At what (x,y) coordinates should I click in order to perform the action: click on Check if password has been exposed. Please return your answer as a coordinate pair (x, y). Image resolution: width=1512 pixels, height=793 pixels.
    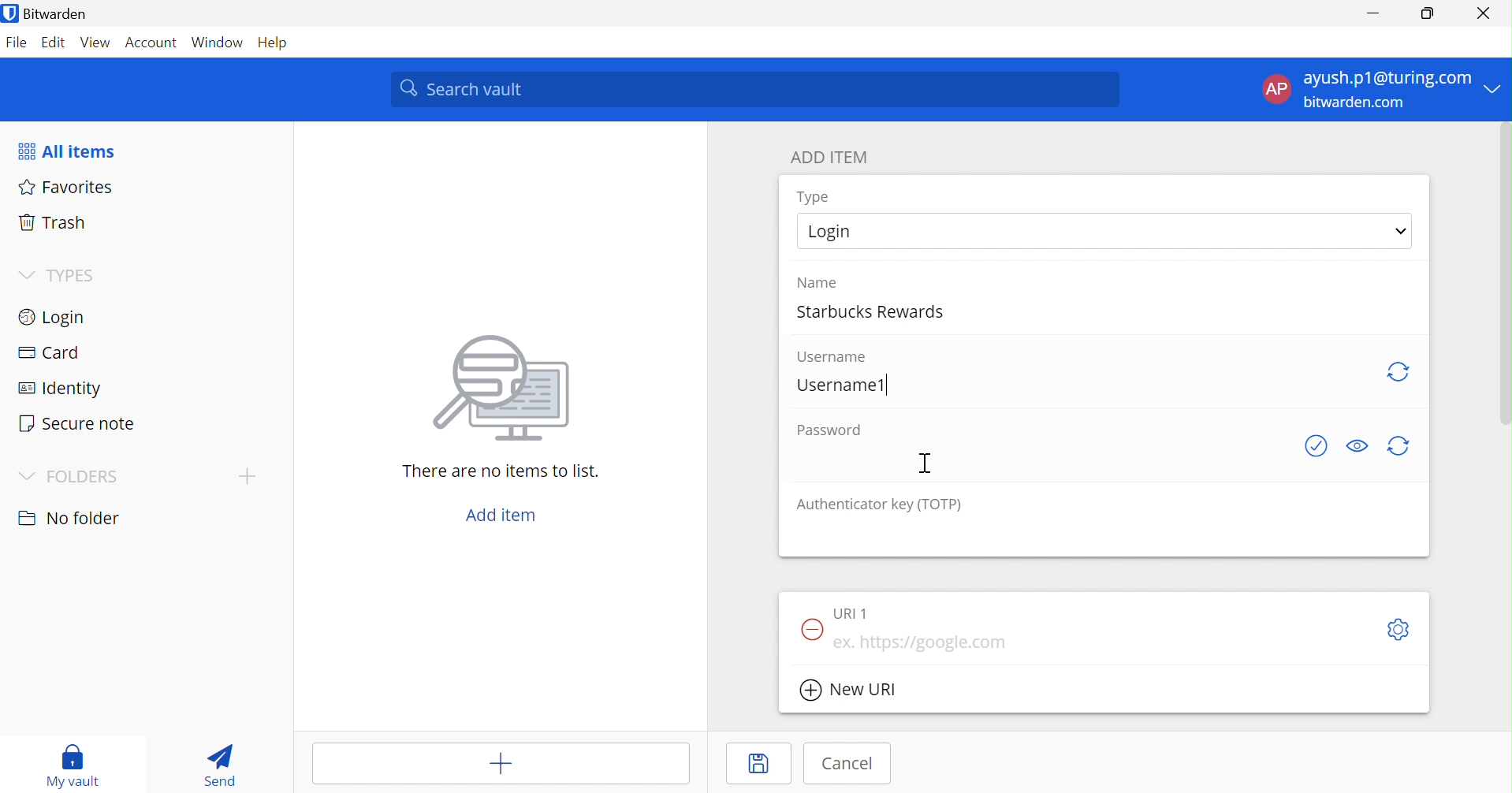
    Looking at the image, I should click on (1319, 446).